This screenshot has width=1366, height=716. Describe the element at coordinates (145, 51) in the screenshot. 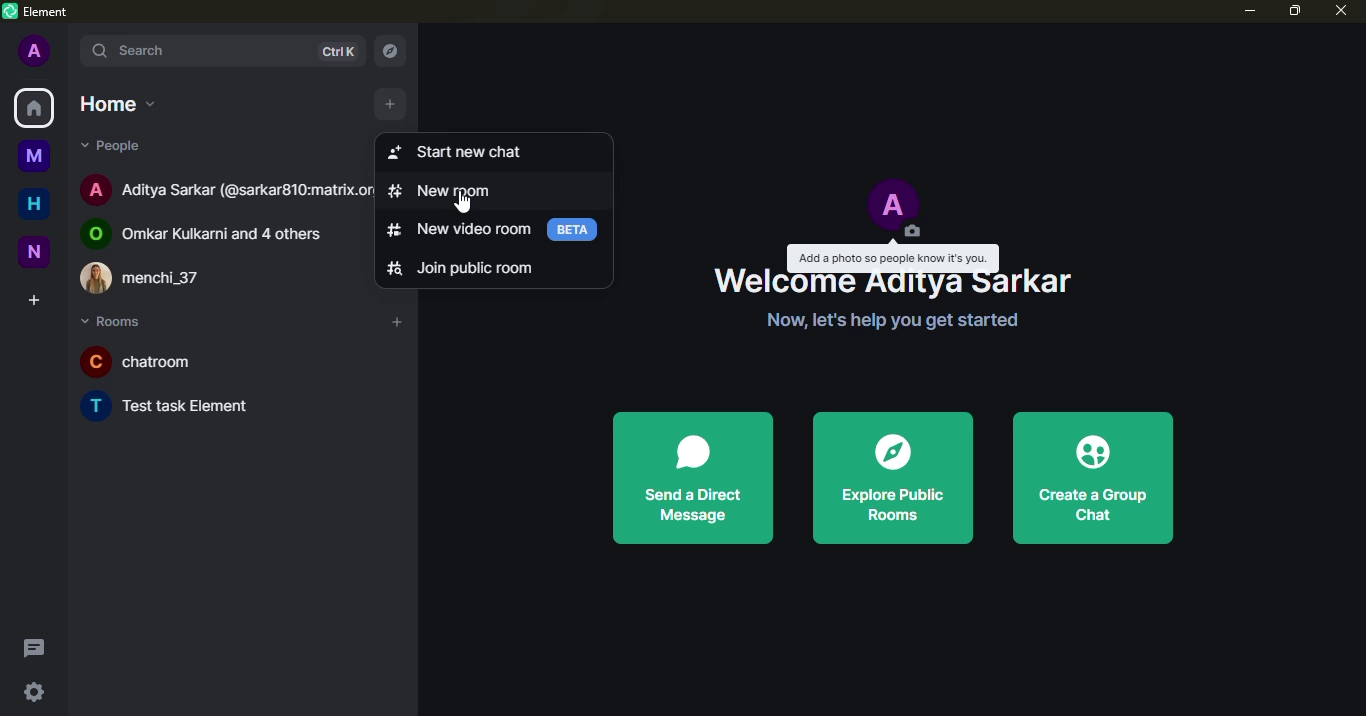

I see `search` at that location.